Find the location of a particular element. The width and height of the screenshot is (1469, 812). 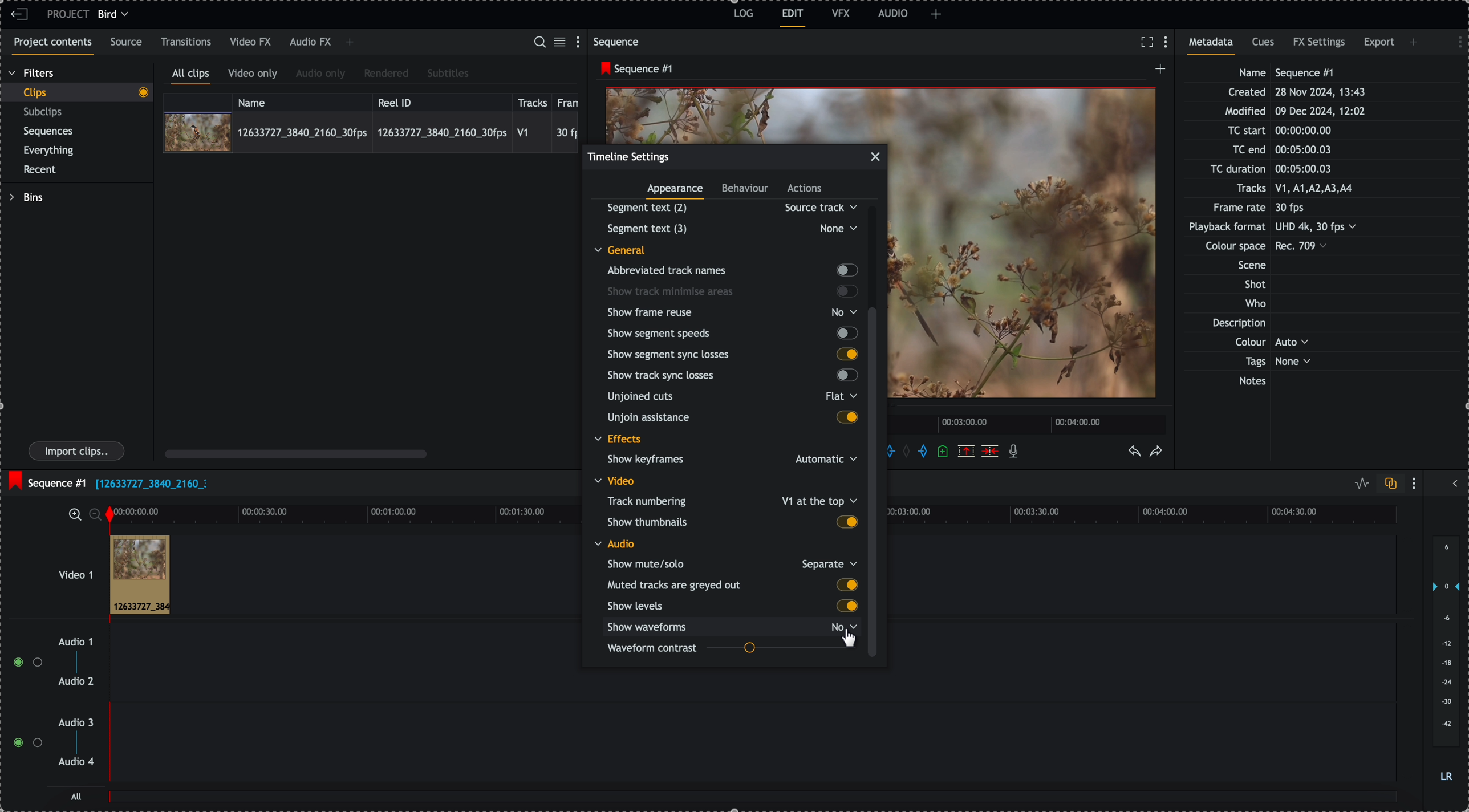

edit is located at coordinates (793, 18).